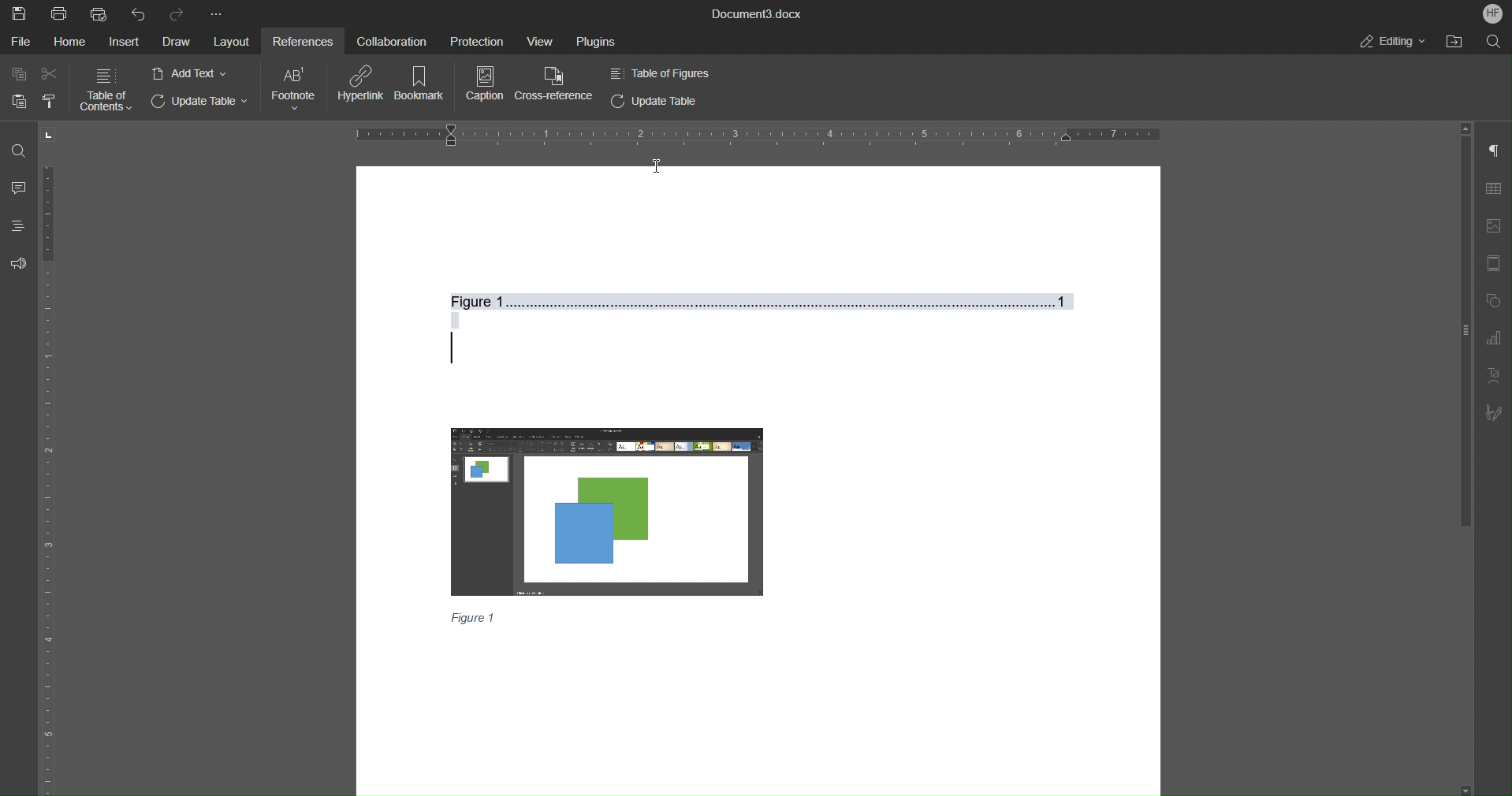  Describe the element at coordinates (106, 89) in the screenshot. I see `Table of Contents` at that location.